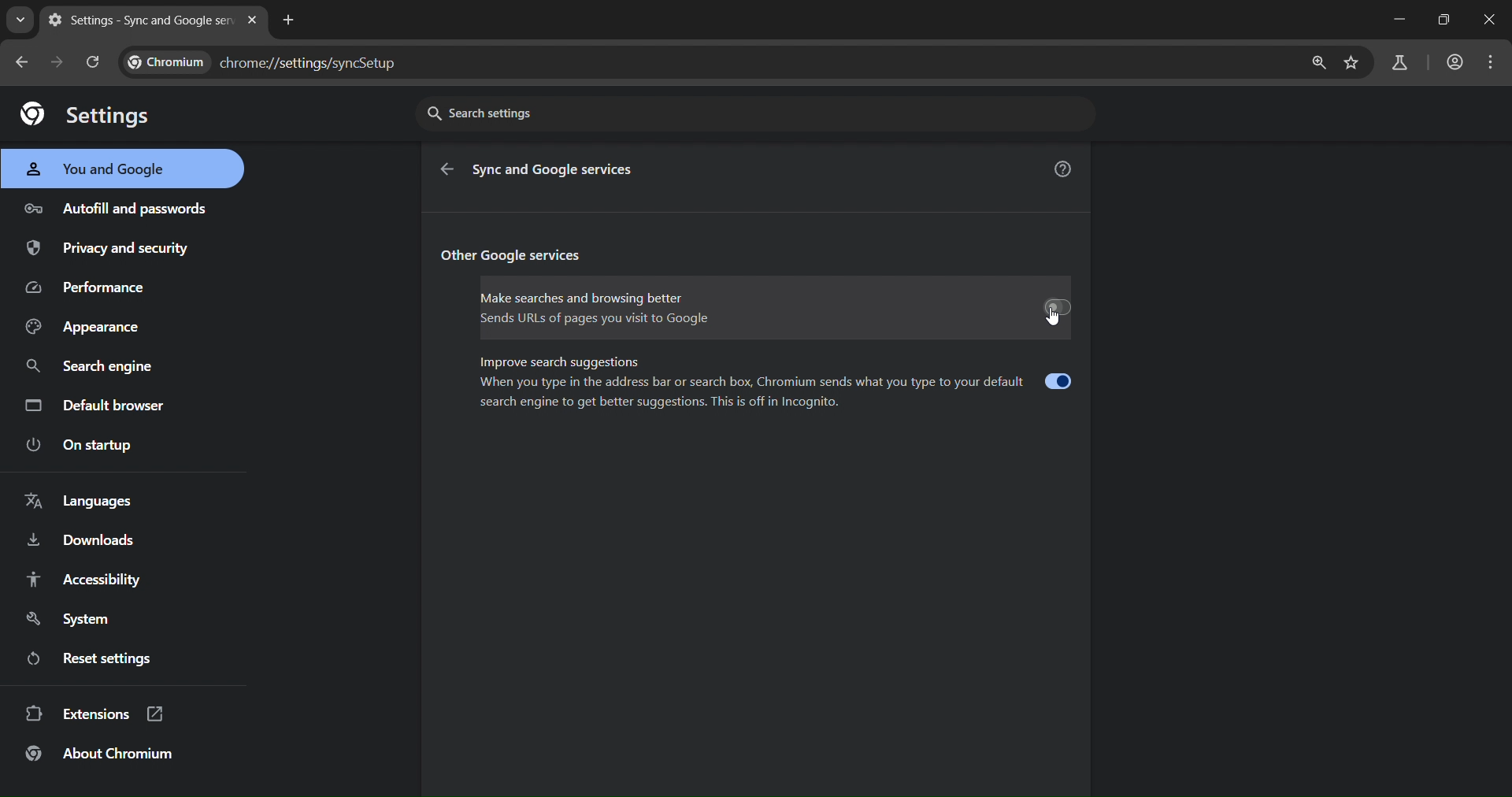  What do you see at coordinates (86, 328) in the screenshot?
I see `appearance` at bounding box center [86, 328].